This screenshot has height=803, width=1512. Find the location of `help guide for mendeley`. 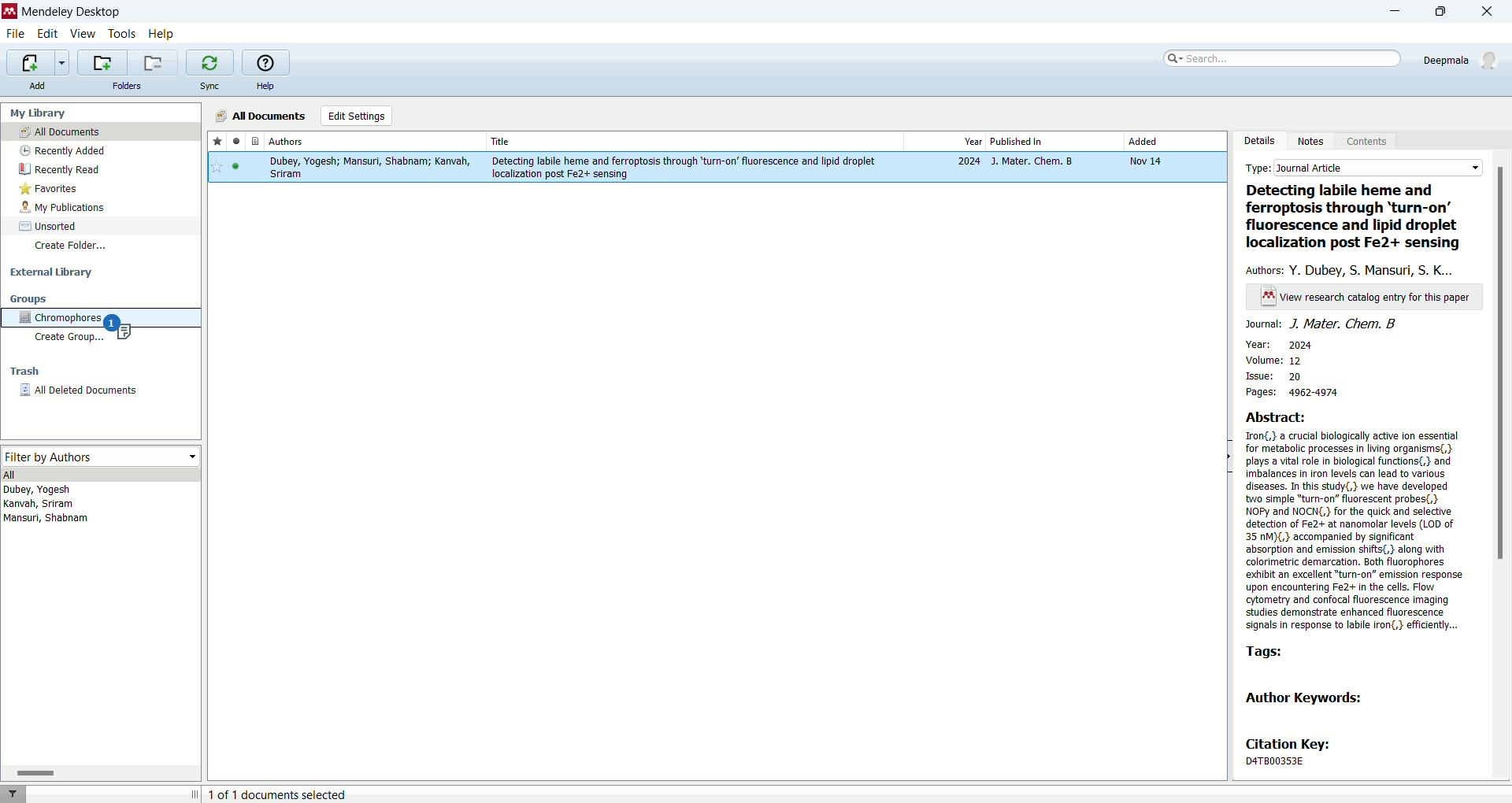

help guide for mendeley is located at coordinates (265, 62).